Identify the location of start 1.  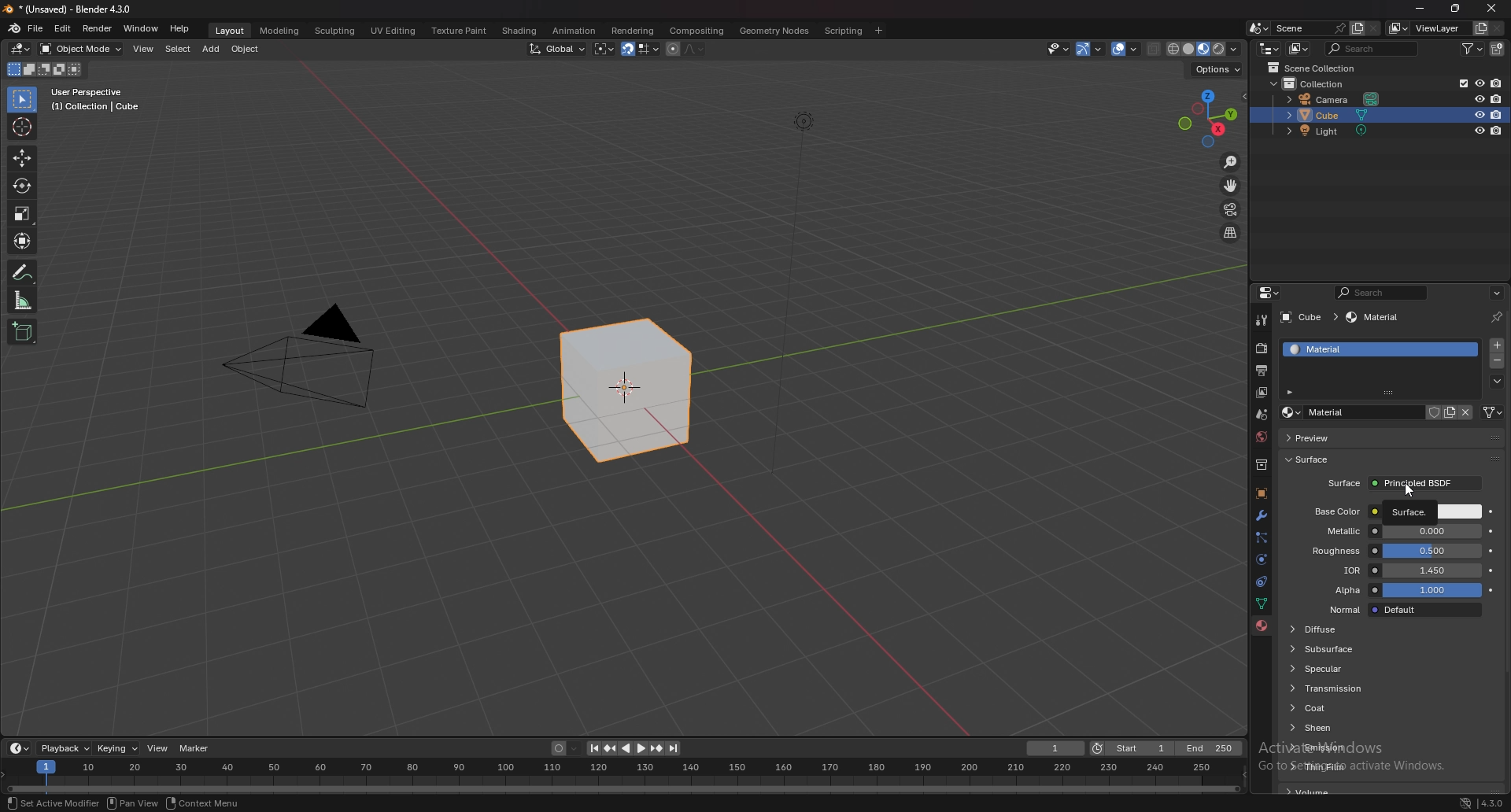
(1132, 749).